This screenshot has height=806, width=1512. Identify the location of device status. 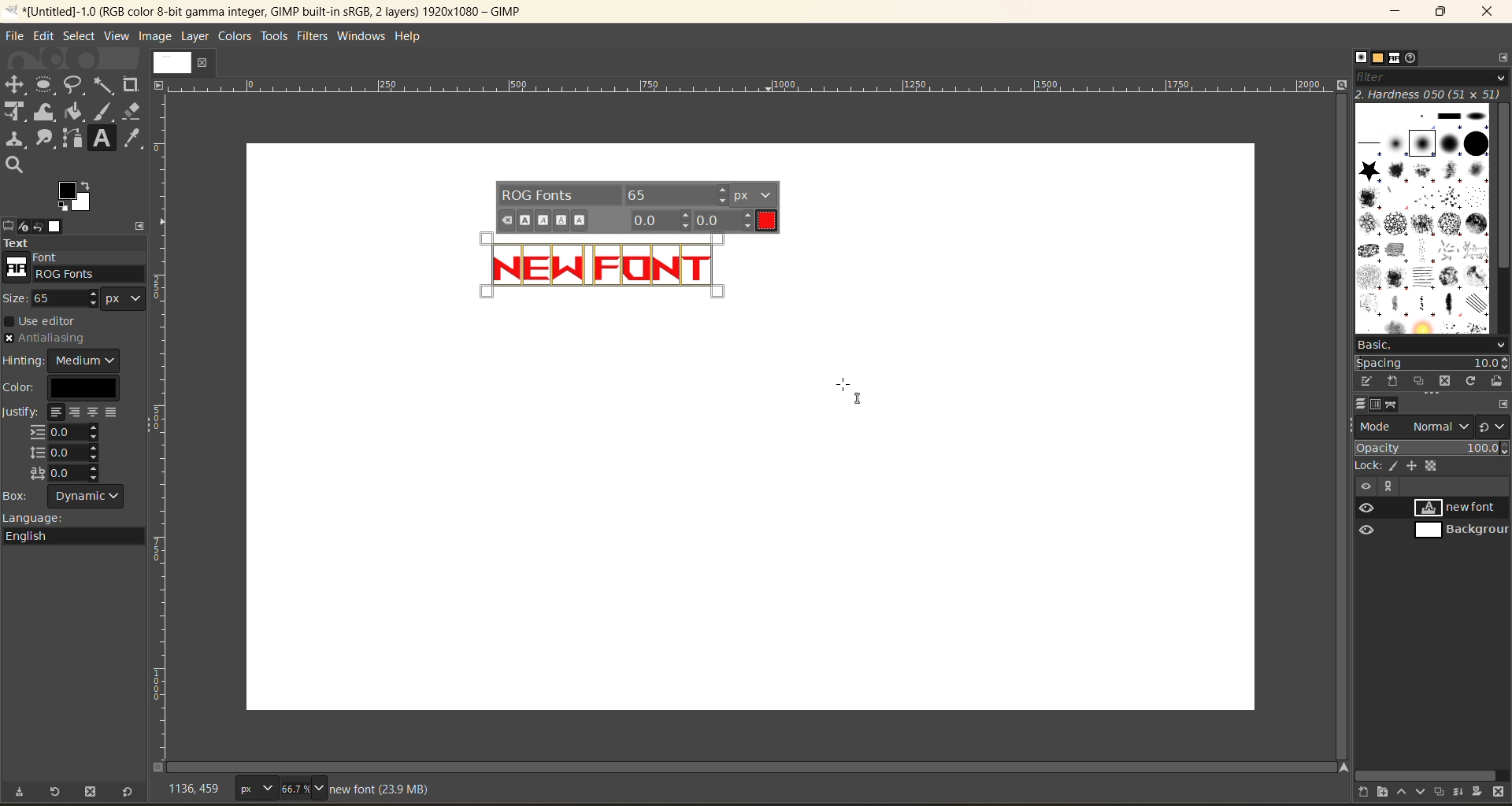
(24, 227).